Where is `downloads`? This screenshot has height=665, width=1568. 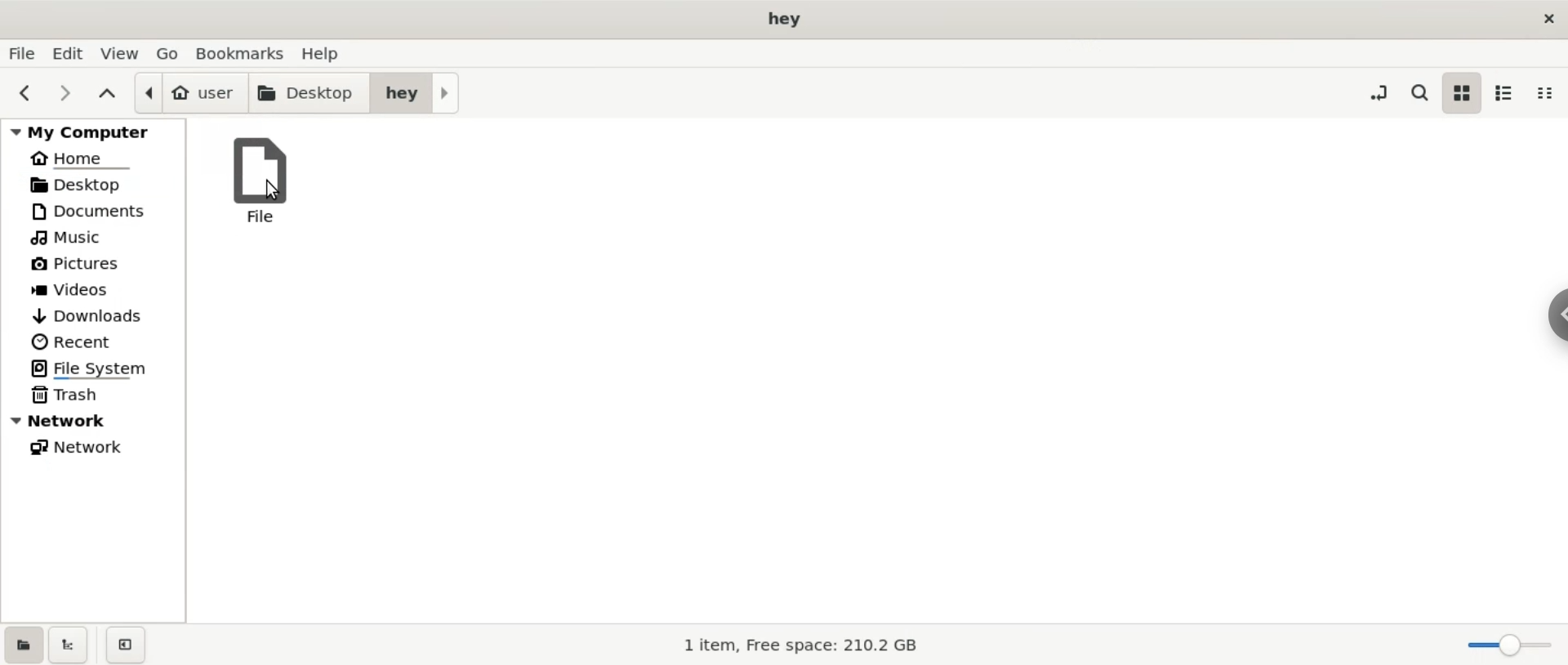
downloads is located at coordinates (96, 312).